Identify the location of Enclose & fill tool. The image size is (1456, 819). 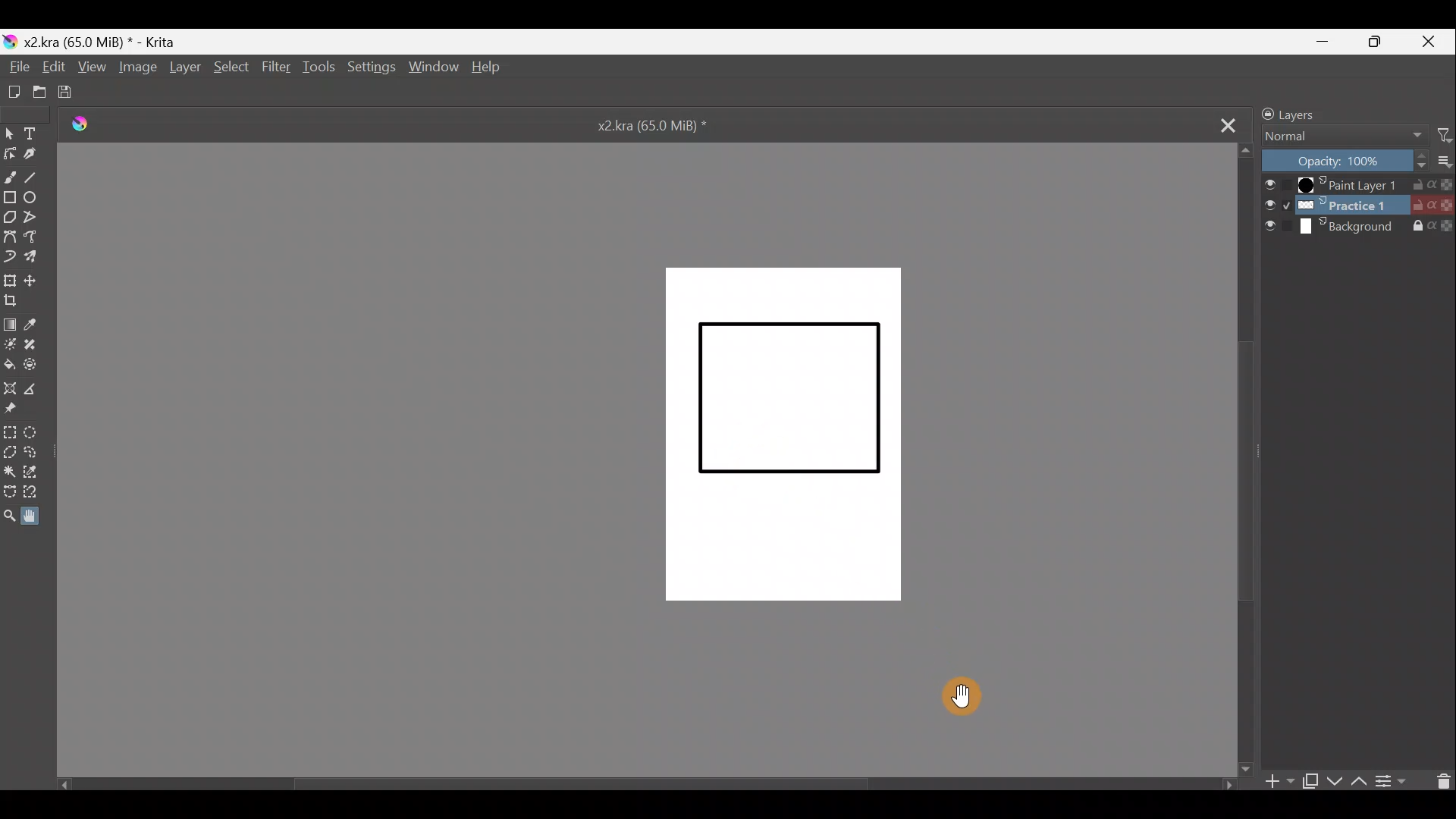
(35, 364).